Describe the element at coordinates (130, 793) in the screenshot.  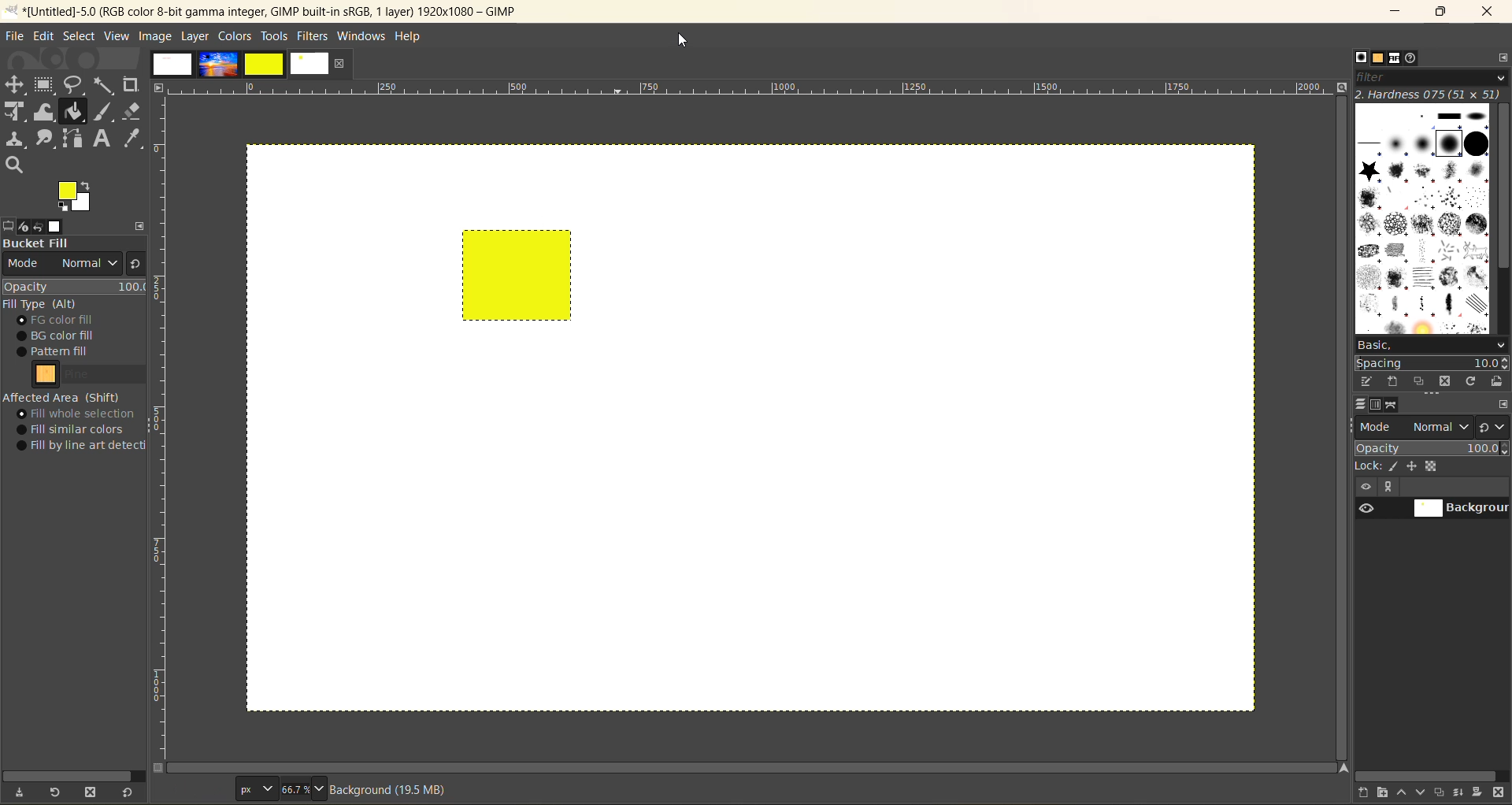
I see `reset to default values` at that location.